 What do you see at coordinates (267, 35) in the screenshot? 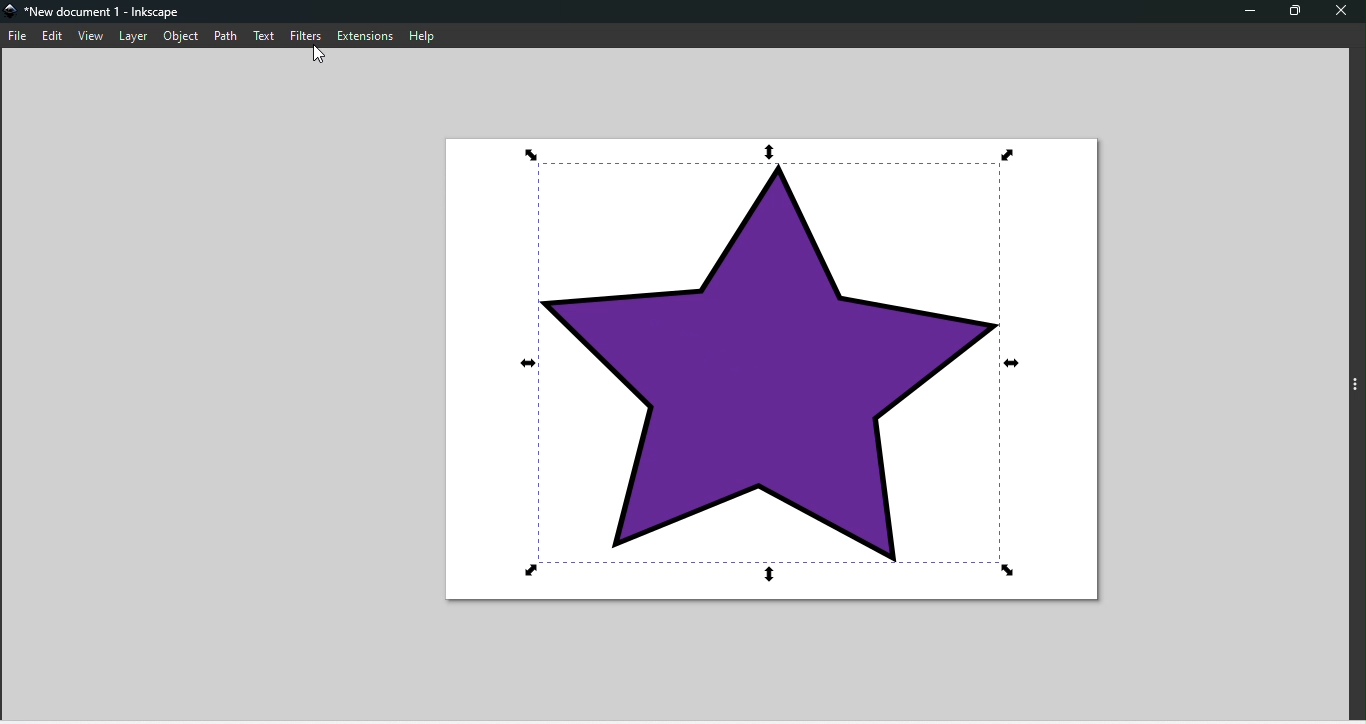
I see `Text` at bounding box center [267, 35].